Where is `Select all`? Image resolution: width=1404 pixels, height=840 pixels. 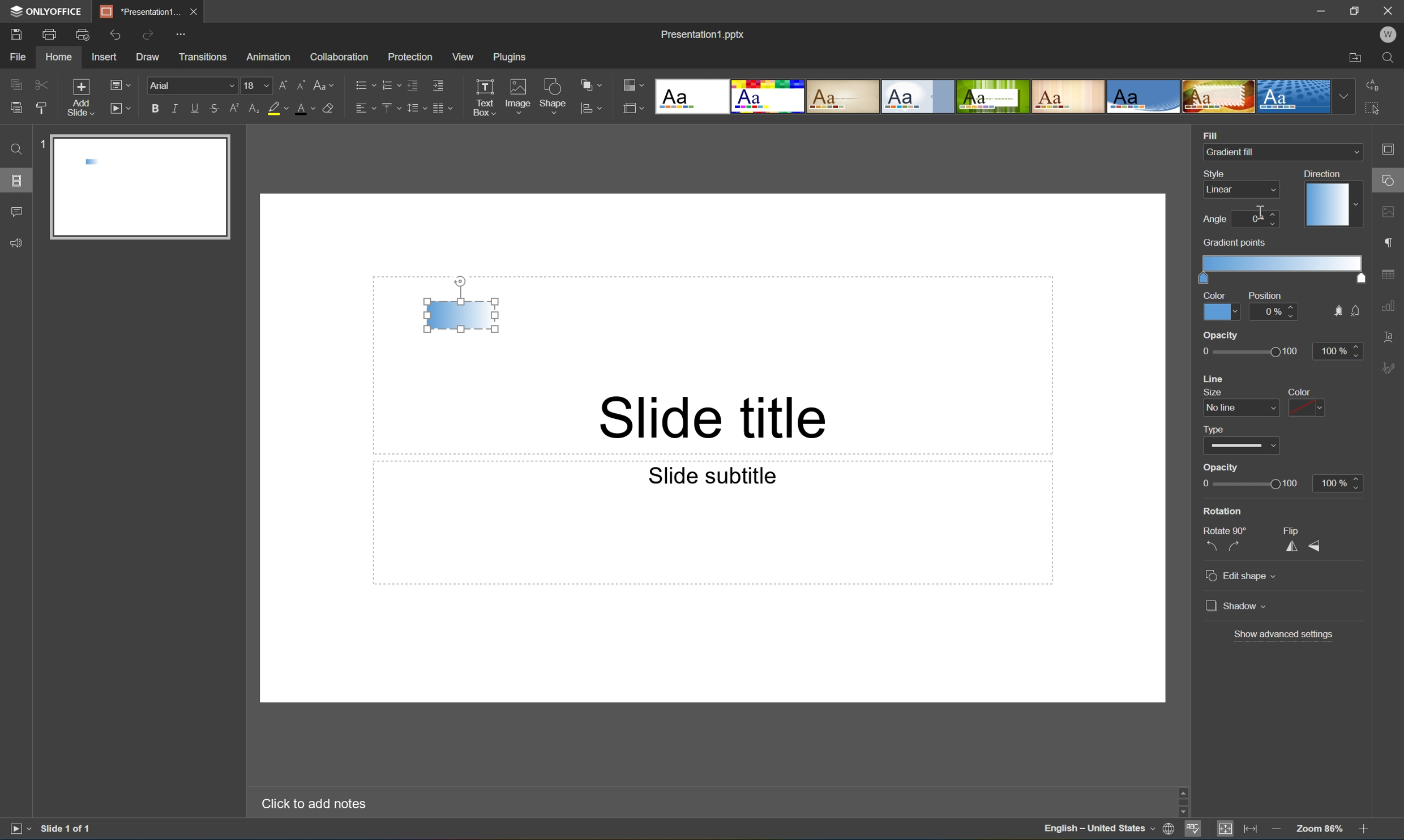 Select all is located at coordinates (1376, 112).